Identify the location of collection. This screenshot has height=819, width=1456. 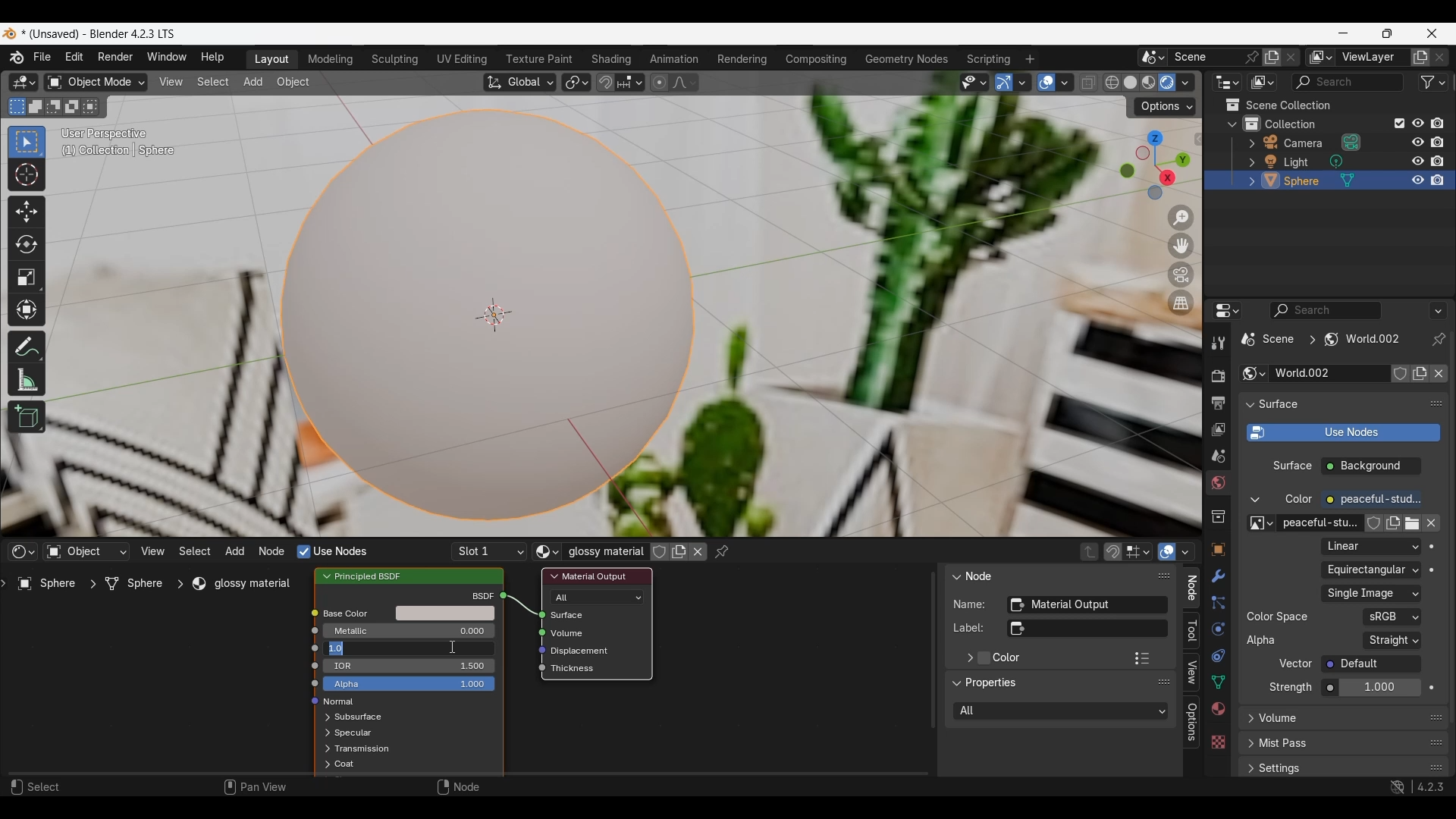
(1304, 123).